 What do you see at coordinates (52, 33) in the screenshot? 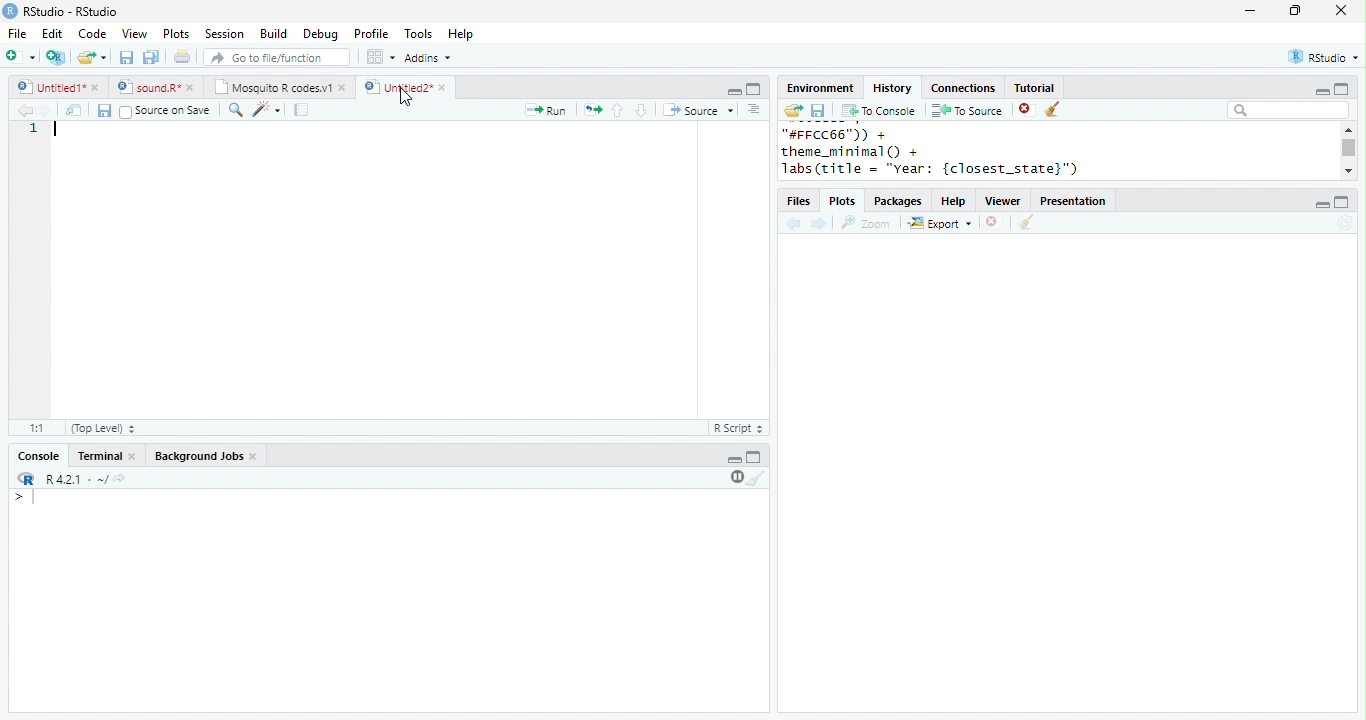
I see `Edit` at bounding box center [52, 33].